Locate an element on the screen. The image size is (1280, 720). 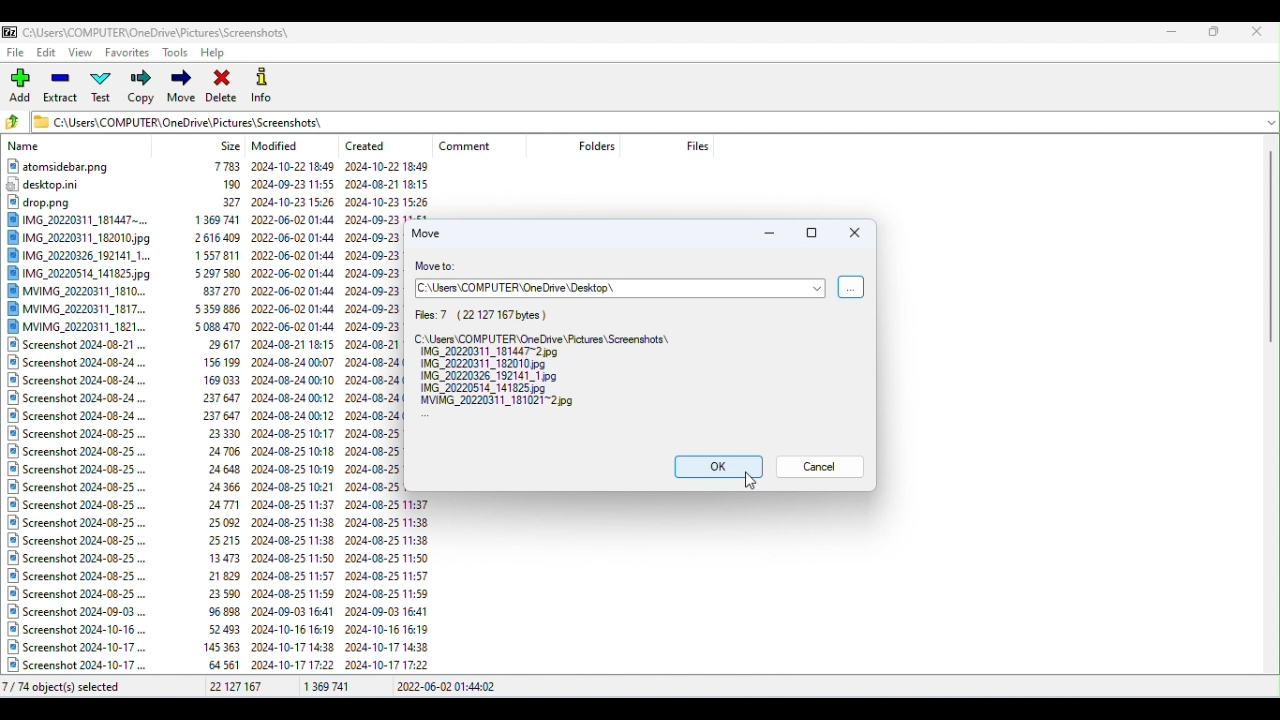
close is located at coordinates (856, 234).